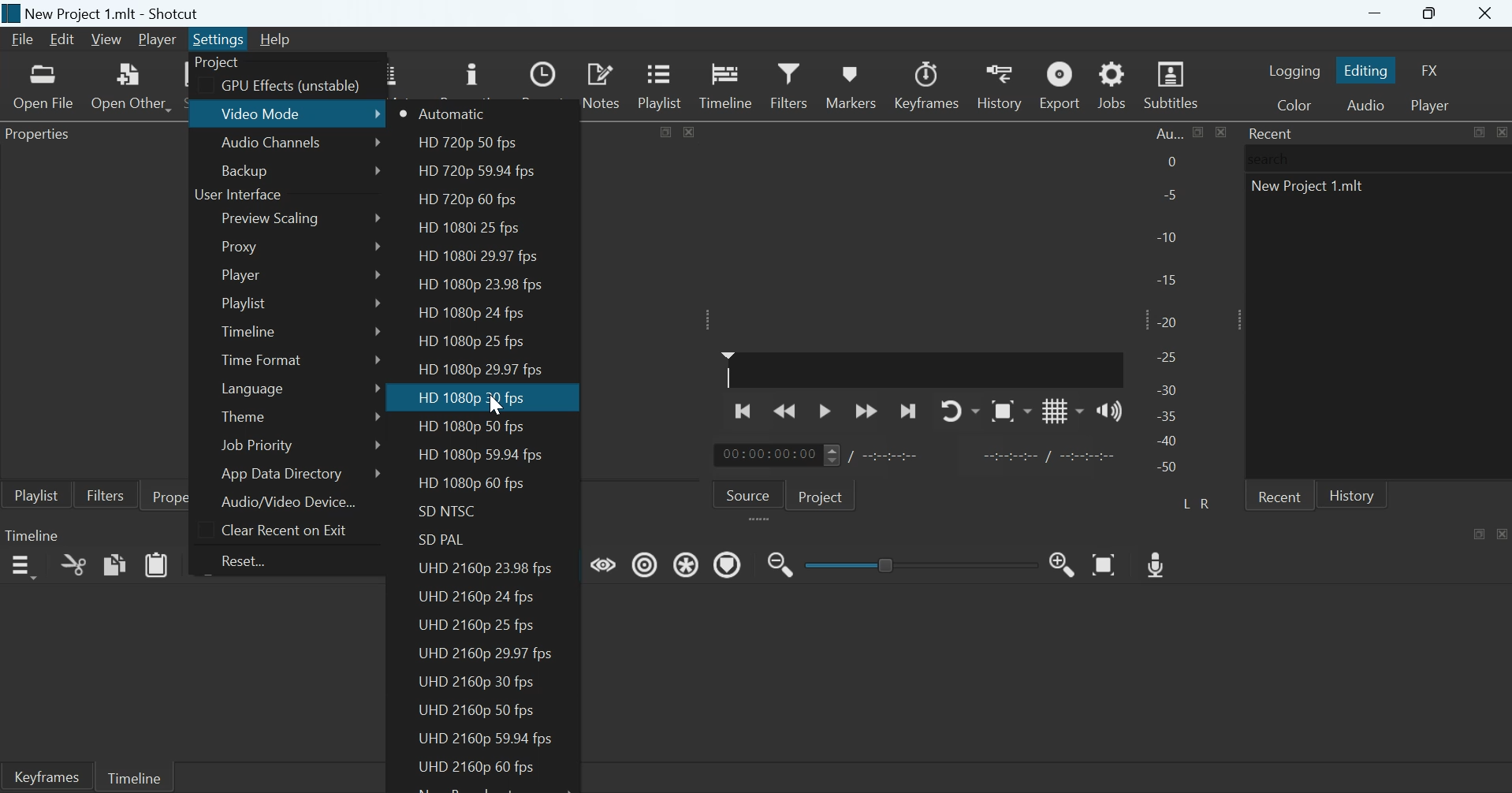 This screenshot has width=1512, height=793. I want to click on Toggle player looping, so click(960, 411).